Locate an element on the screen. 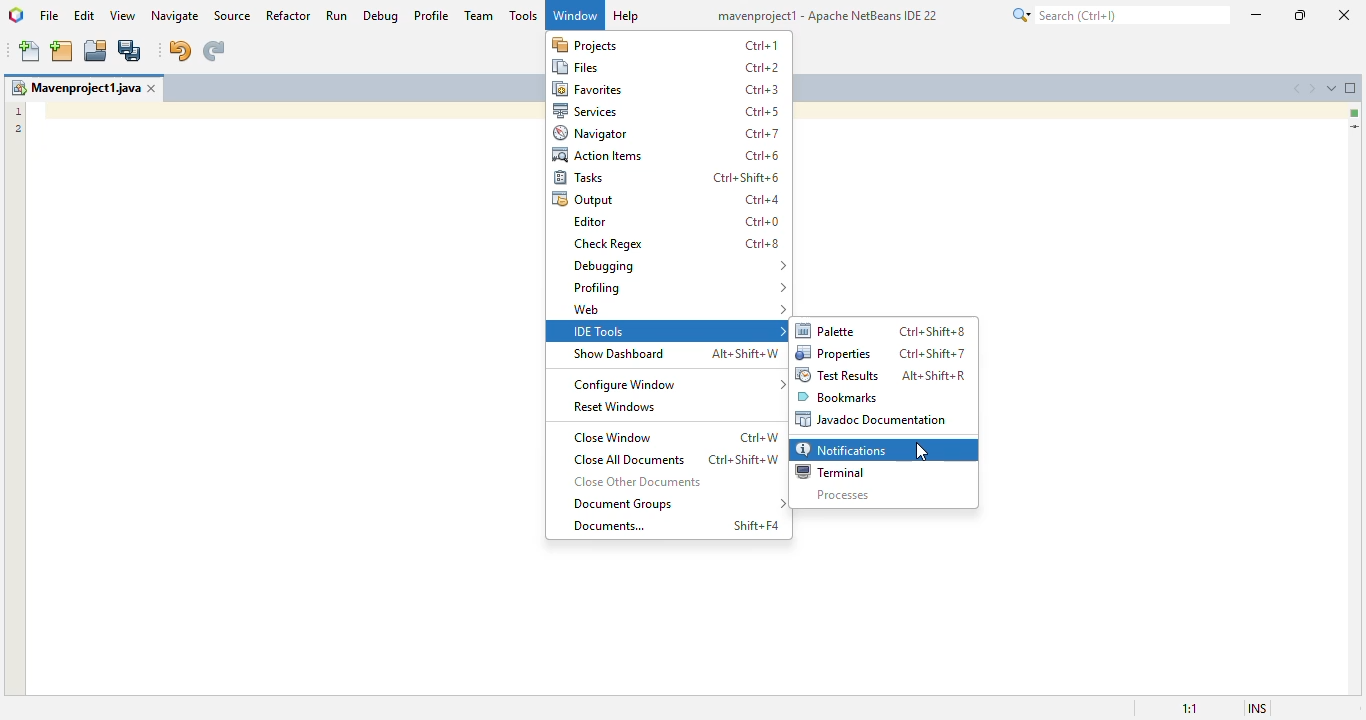  shortcut for action items is located at coordinates (762, 155).